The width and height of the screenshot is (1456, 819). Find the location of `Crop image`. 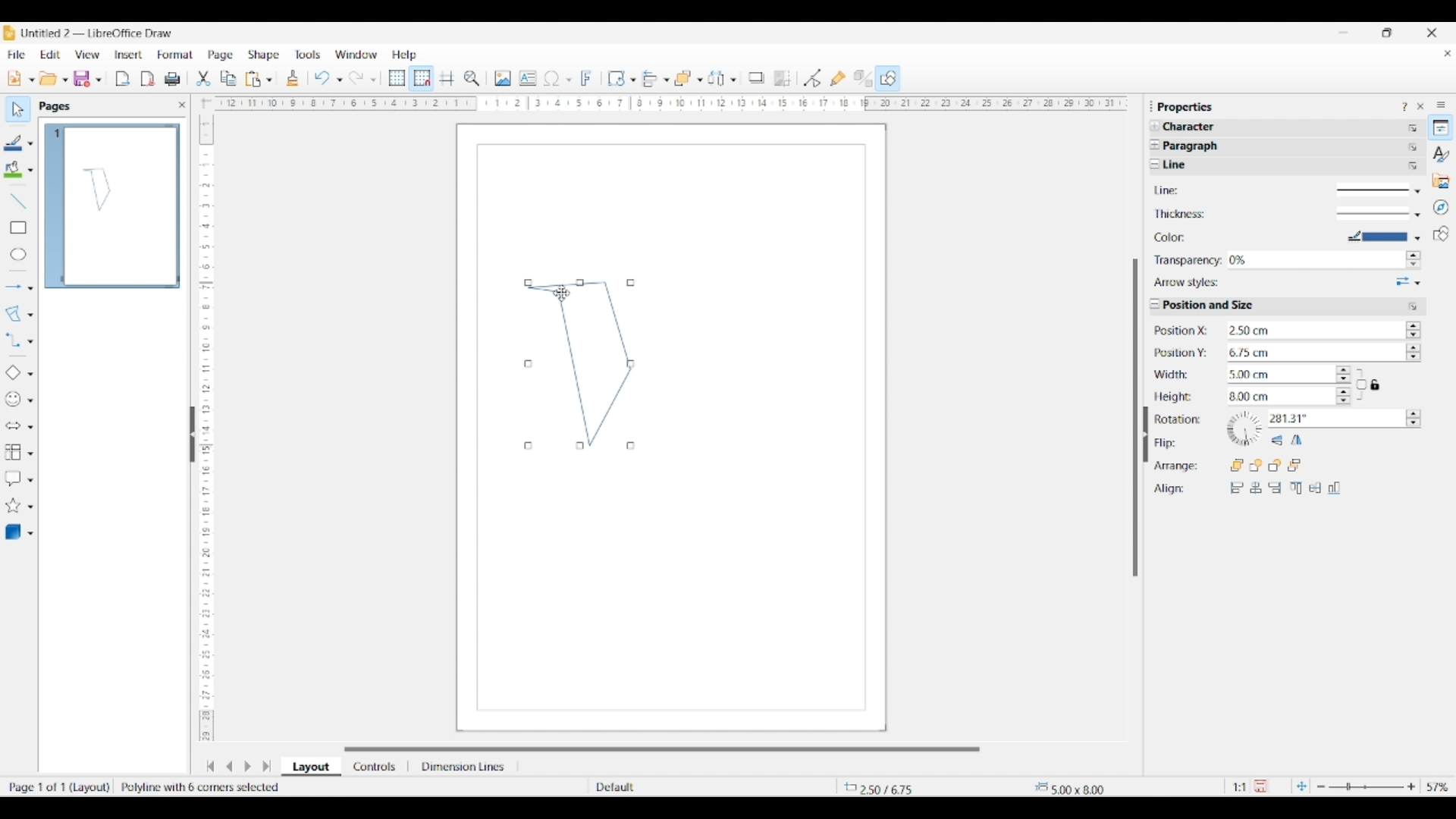

Crop image is located at coordinates (783, 78).